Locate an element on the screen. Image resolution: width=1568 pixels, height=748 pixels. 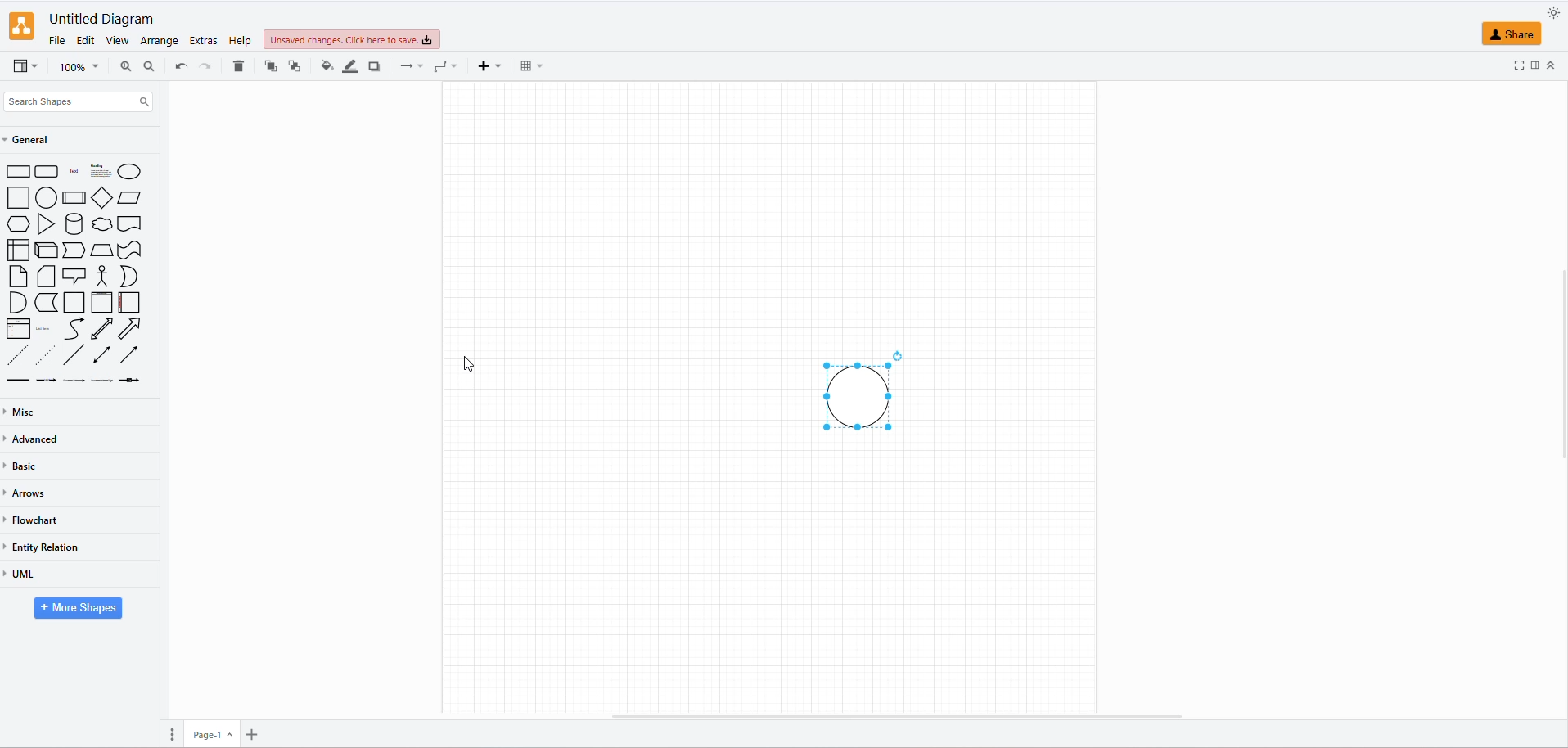
RECTANGLE is located at coordinates (16, 171).